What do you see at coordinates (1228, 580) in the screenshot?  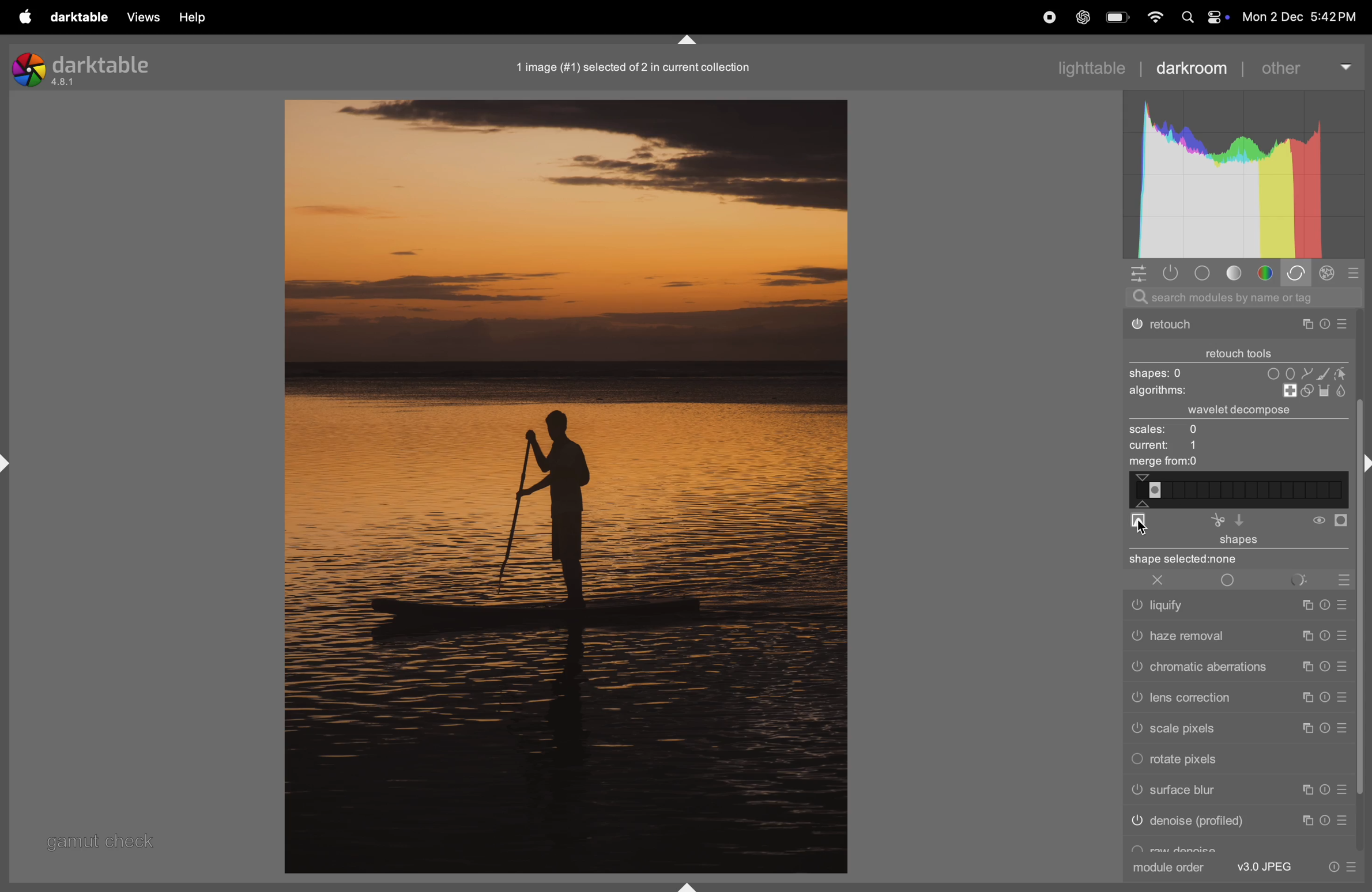 I see `uniformly` at bounding box center [1228, 580].